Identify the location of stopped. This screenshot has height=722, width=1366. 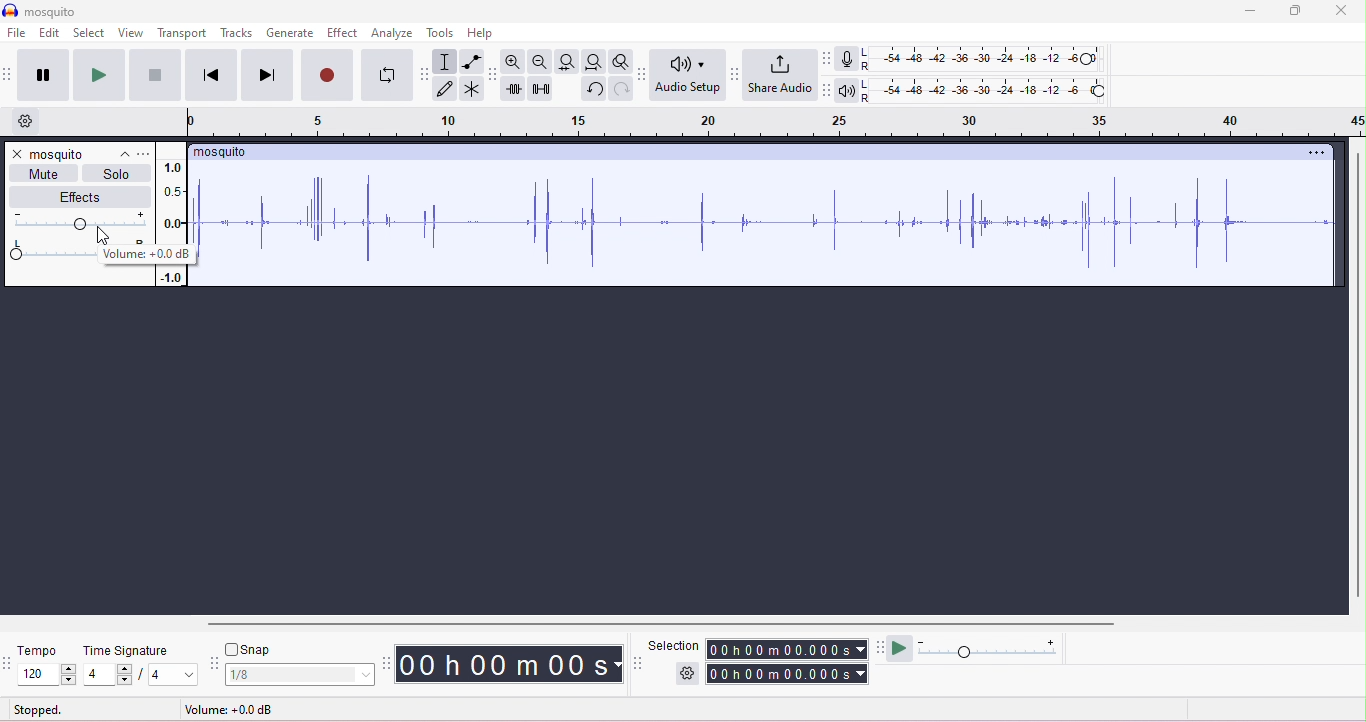
(38, 709).